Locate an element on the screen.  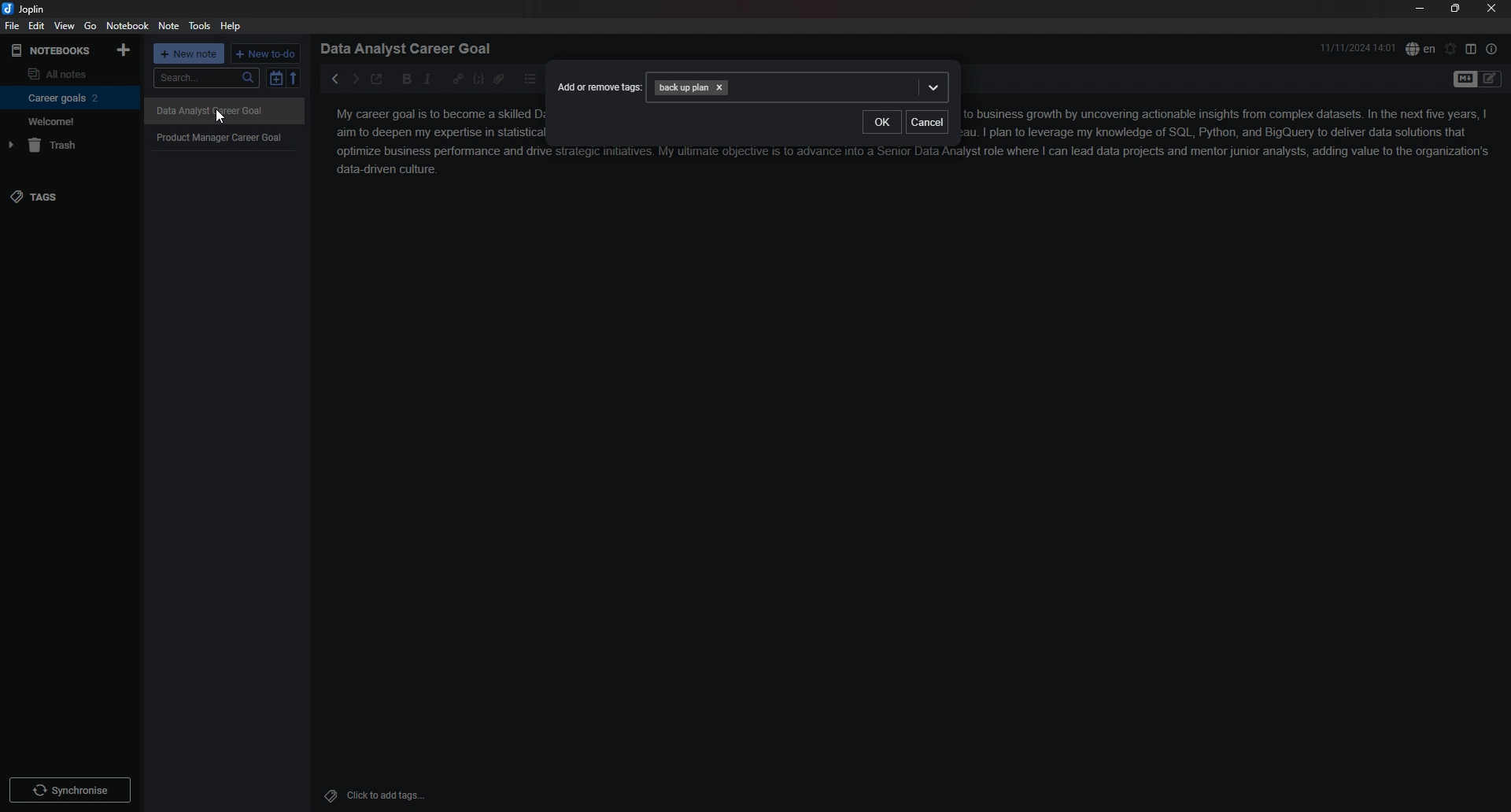
minimize is located at coordinates (1419, 8).